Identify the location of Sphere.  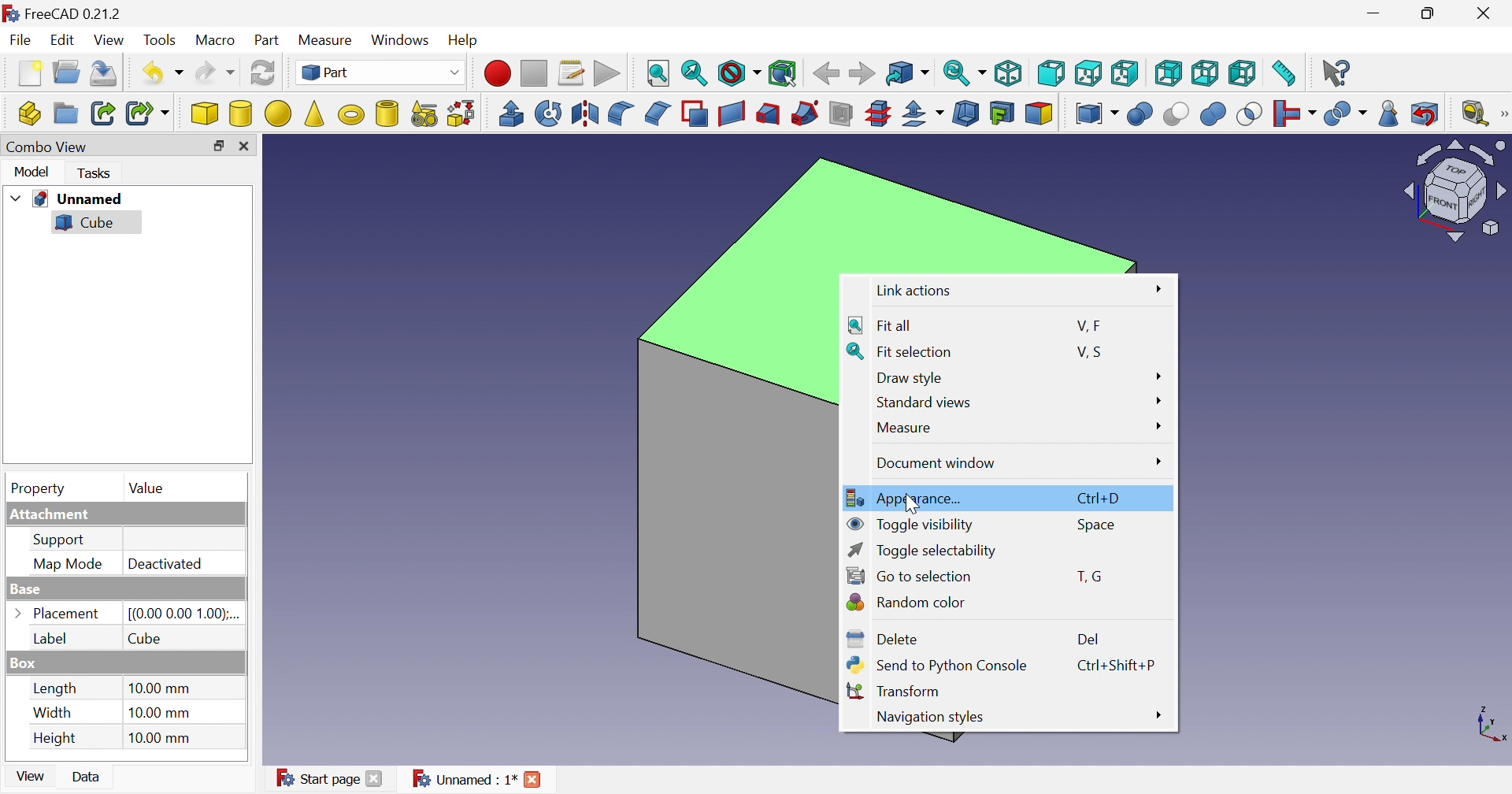
(279, 113).